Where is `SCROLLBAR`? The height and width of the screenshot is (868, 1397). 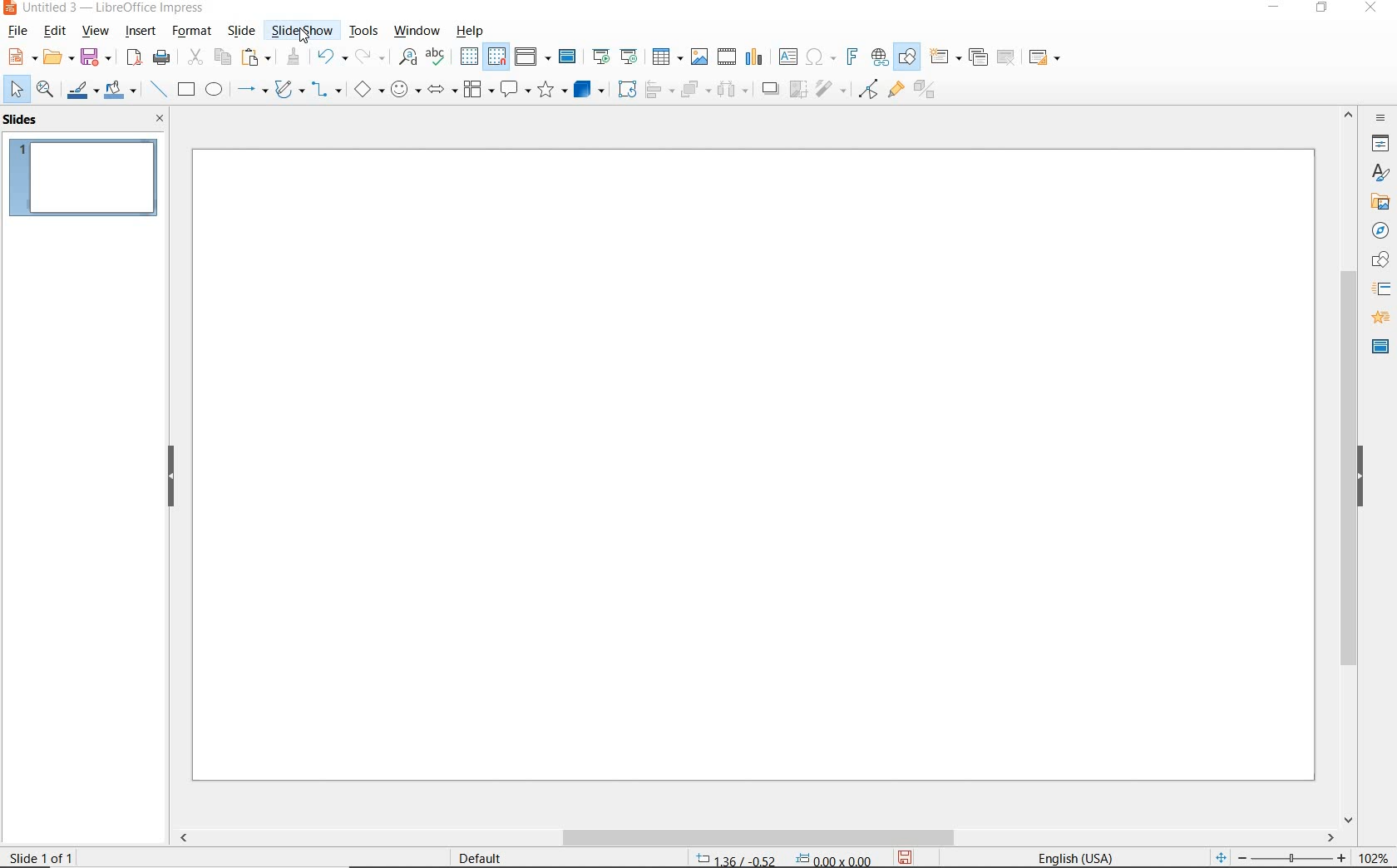 SCROLLBAR is located at coordinates (755, 837).